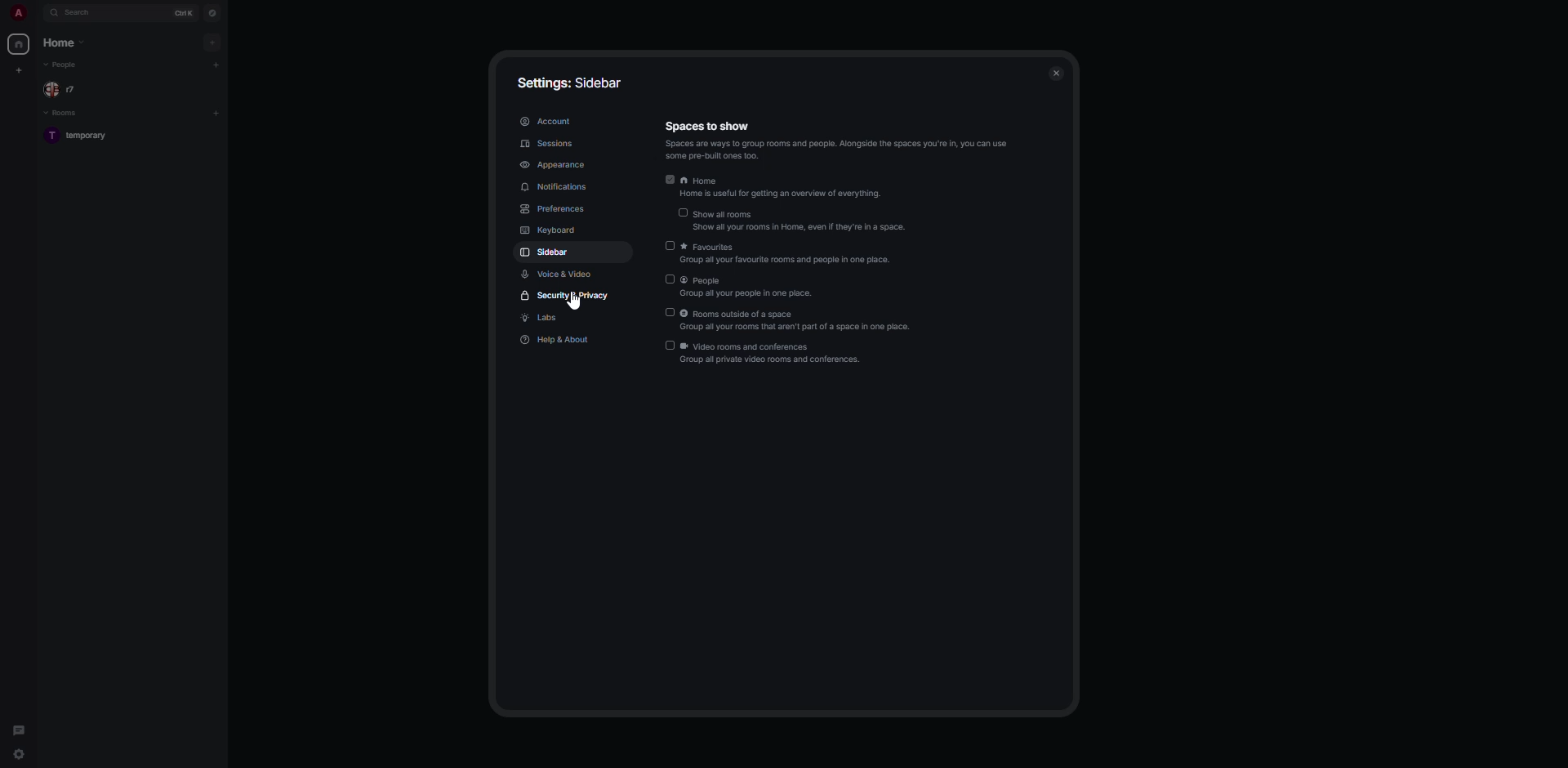 The image size is (1568, 768). I want to click on keyboard, so click(549, 230).